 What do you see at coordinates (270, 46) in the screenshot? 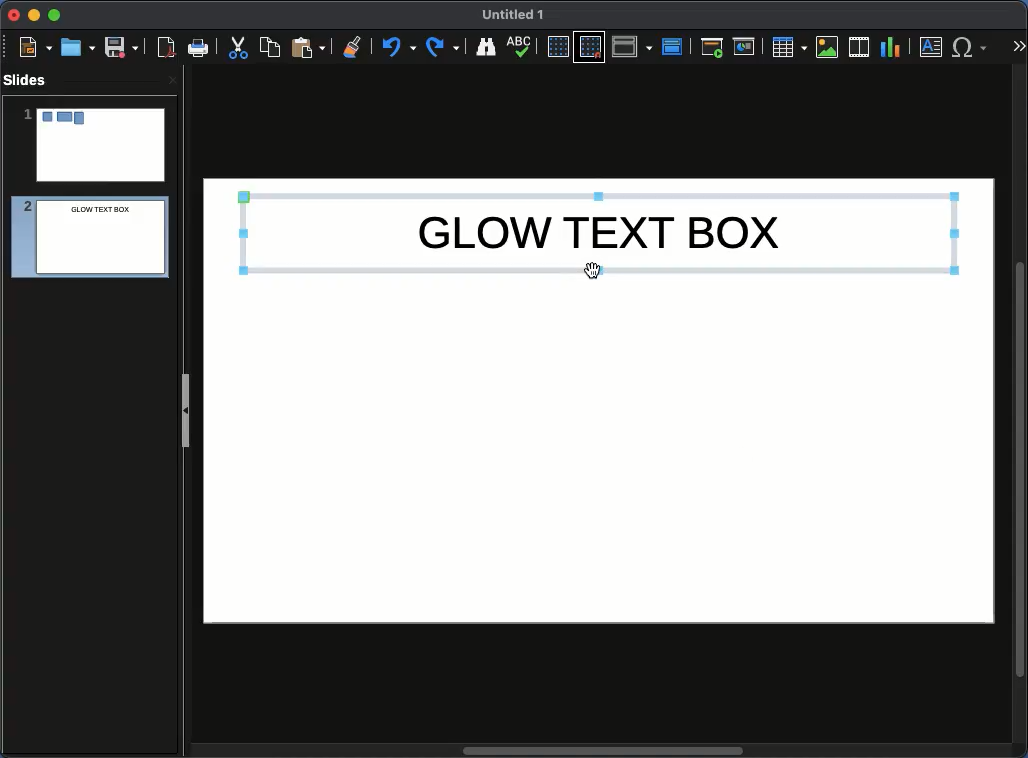
I see `Copy` at bounding box center [270, 46].